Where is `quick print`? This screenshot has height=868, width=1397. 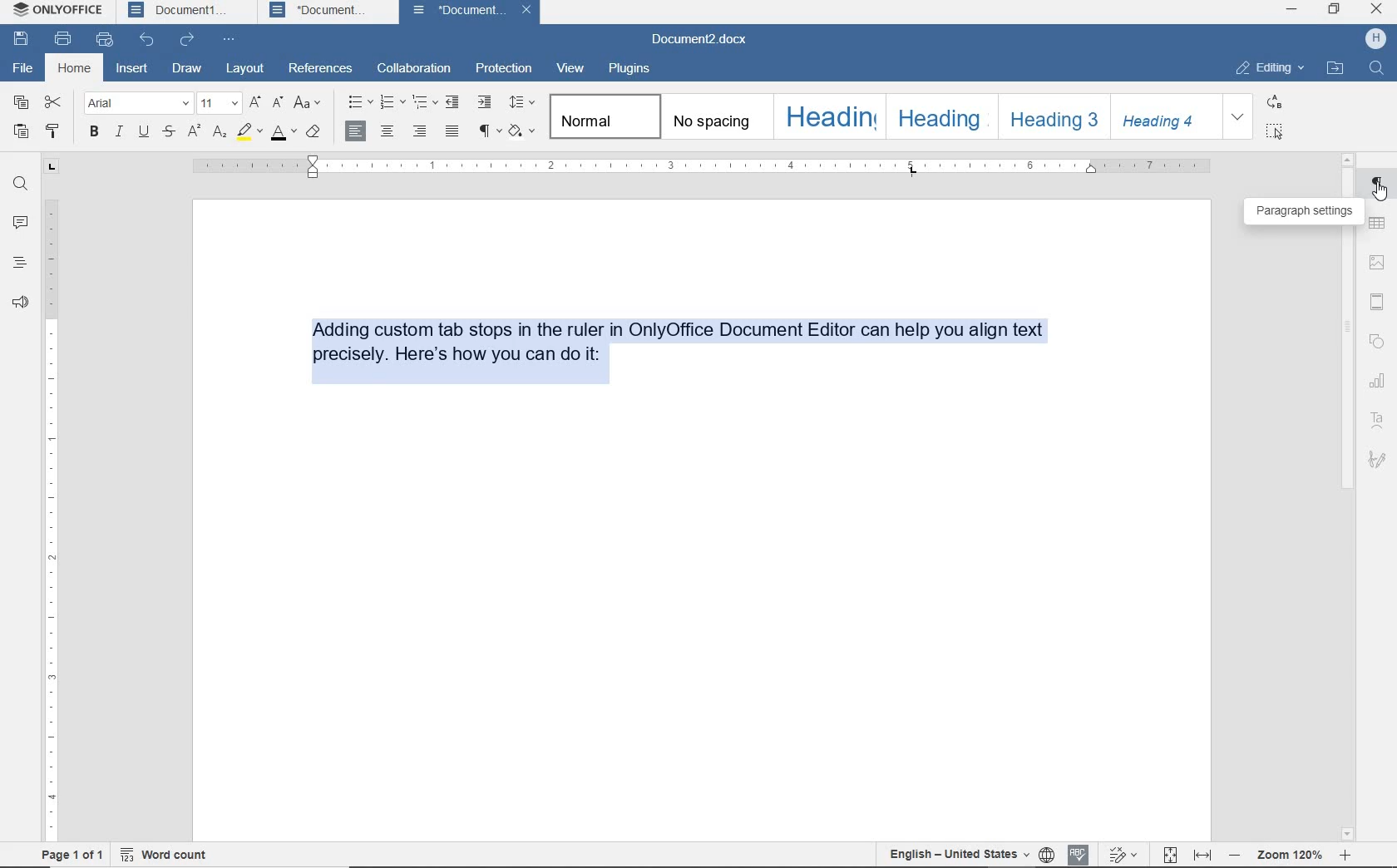
quick print is located at coordinates (105, 40).